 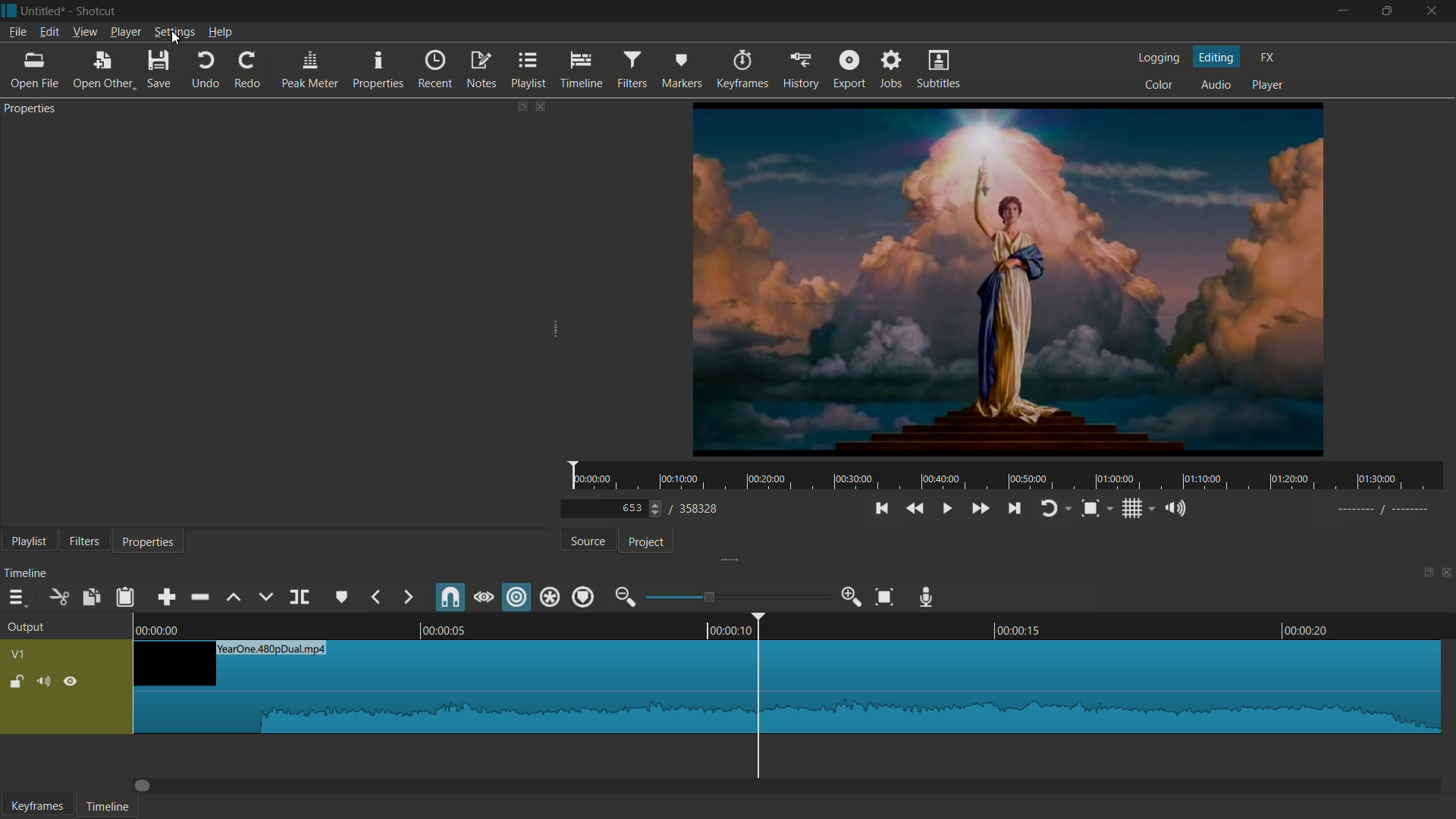 I want to click on properties, so click(x=149, y=542).